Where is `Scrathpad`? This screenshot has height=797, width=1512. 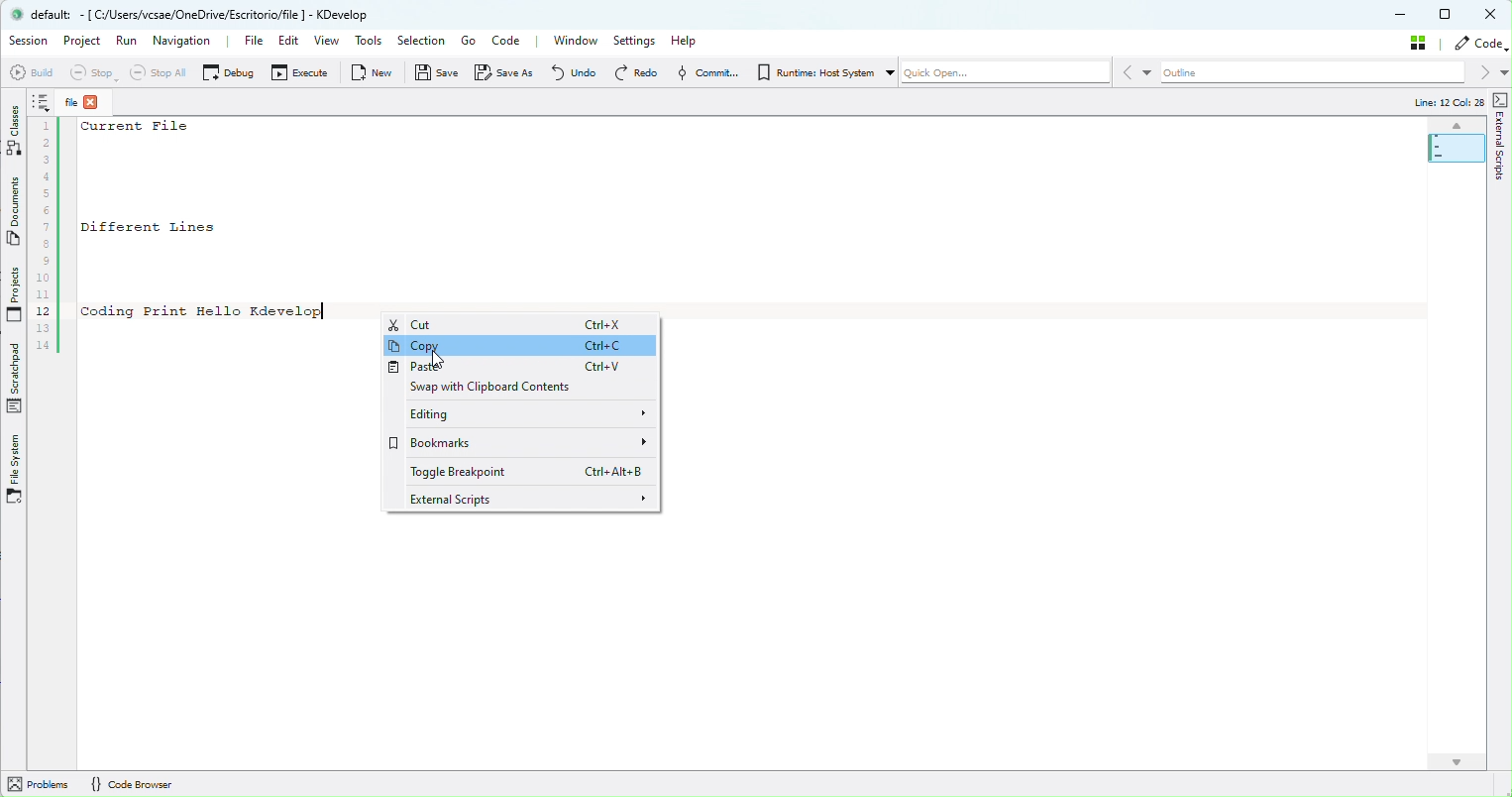 Scrathpad is located at coordinates (14, 377).